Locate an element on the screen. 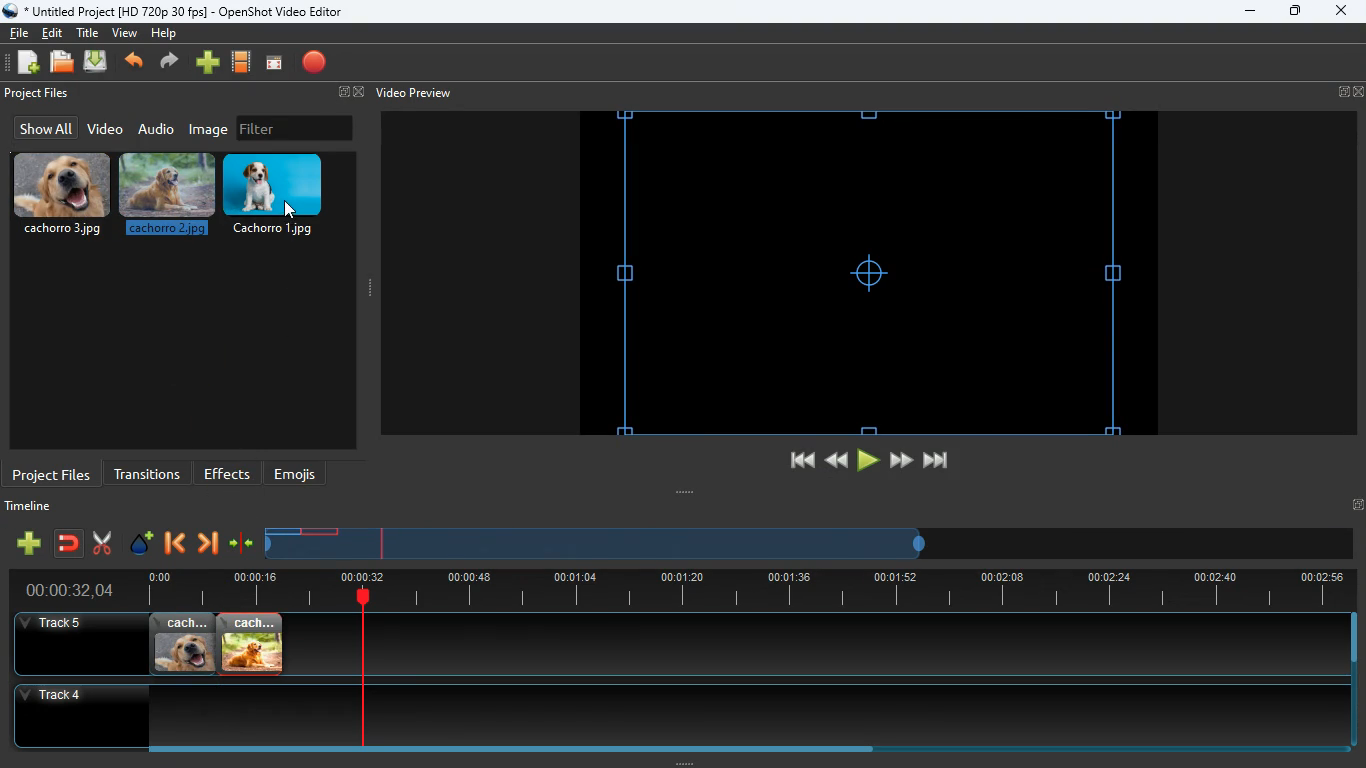  add is located at coordinates (28, 543).